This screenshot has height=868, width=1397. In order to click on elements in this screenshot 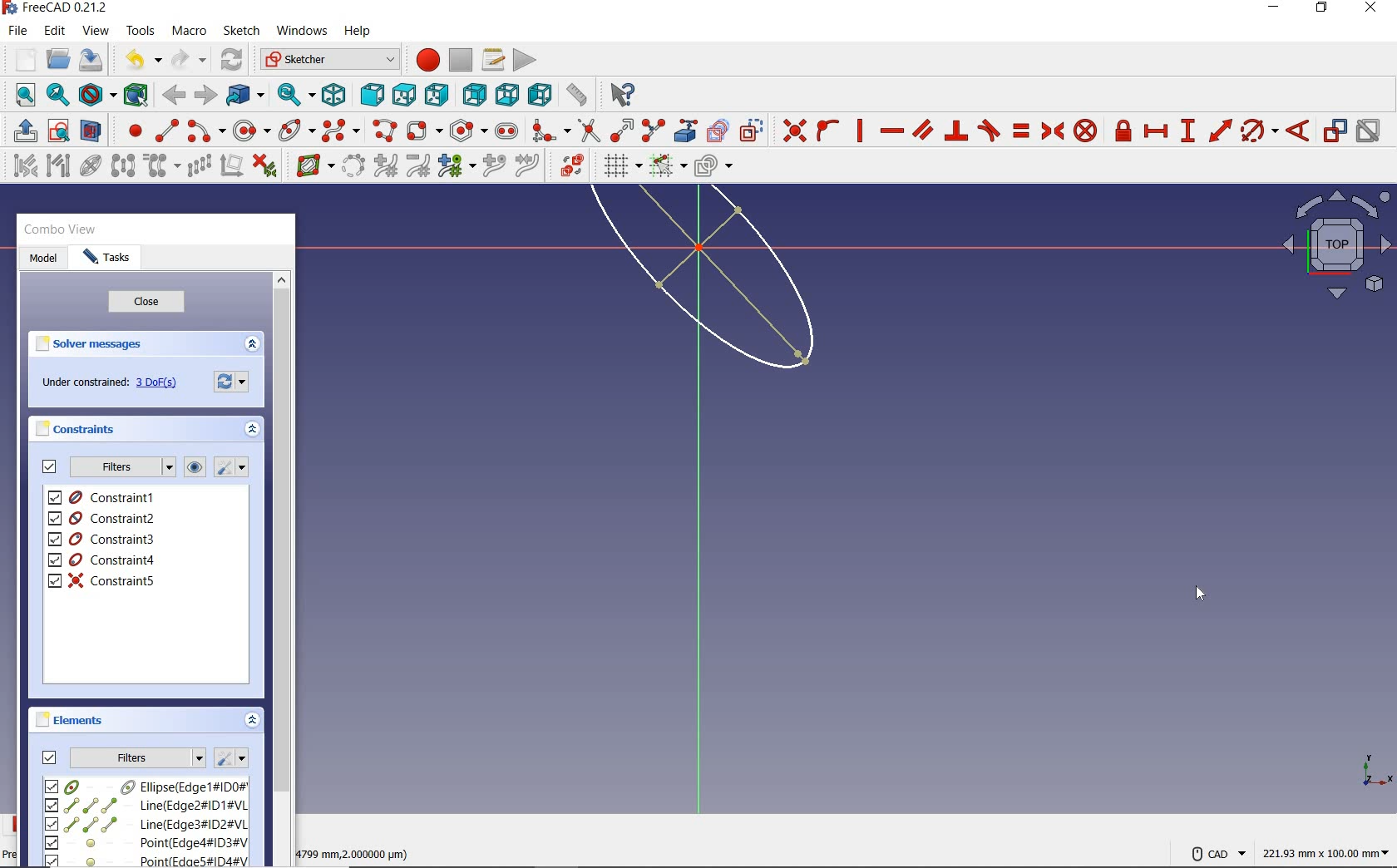, I will do `click(72, 719)`.